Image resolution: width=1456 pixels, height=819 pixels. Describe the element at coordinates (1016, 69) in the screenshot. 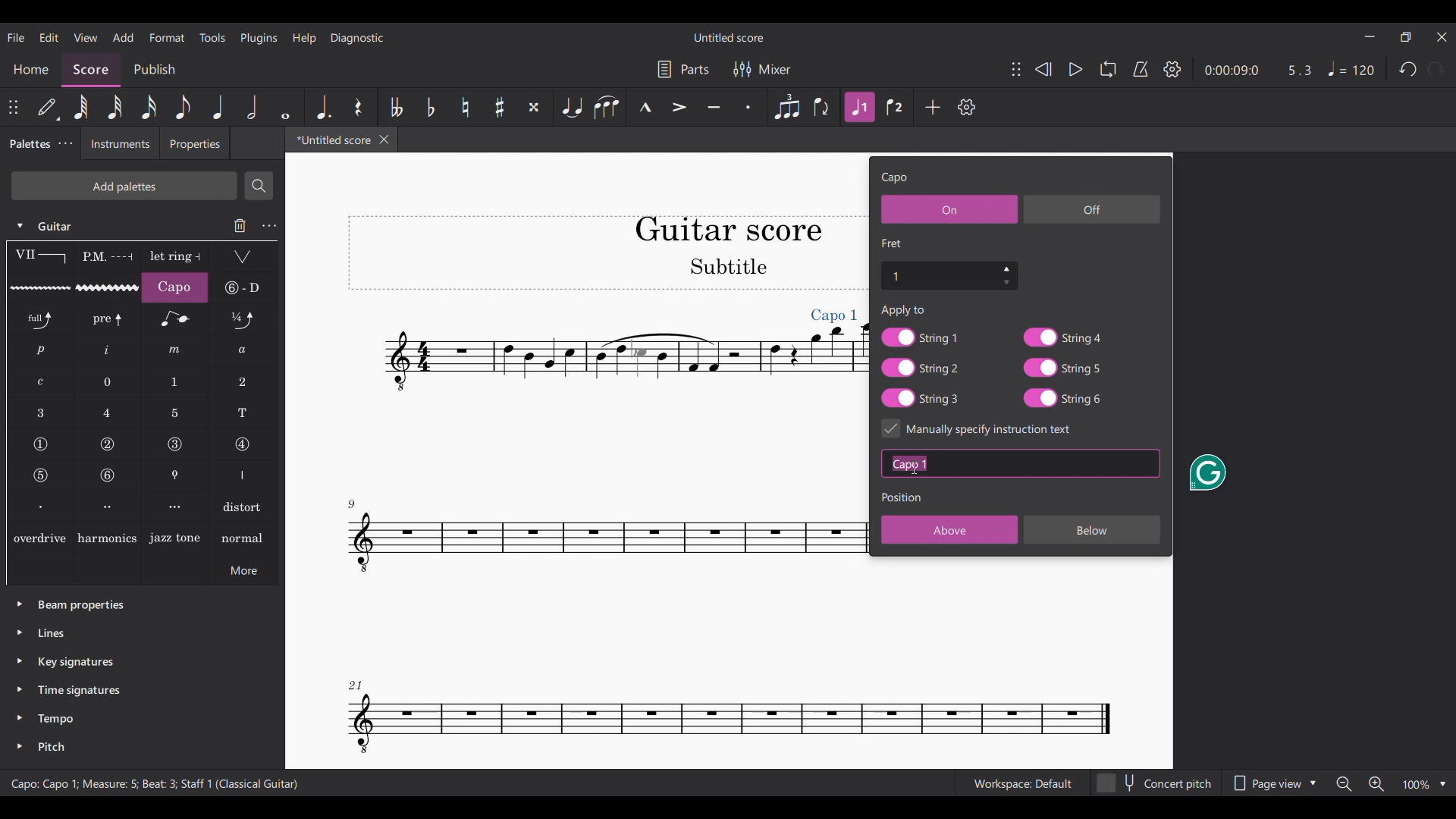

I see `Change position` at that location.